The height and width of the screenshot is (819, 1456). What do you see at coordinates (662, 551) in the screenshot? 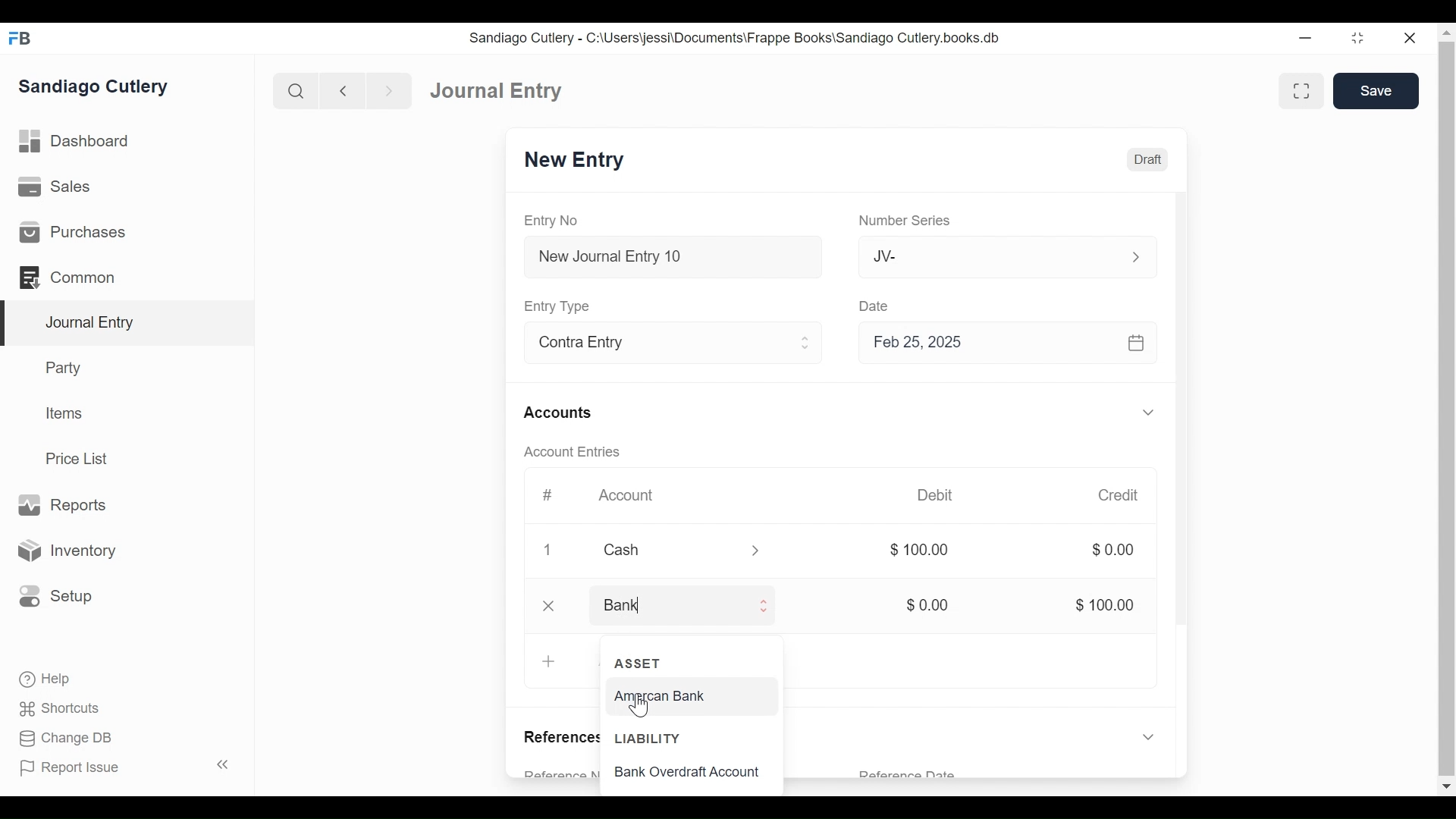
I see `Cash` at bounding box center [662, 551].